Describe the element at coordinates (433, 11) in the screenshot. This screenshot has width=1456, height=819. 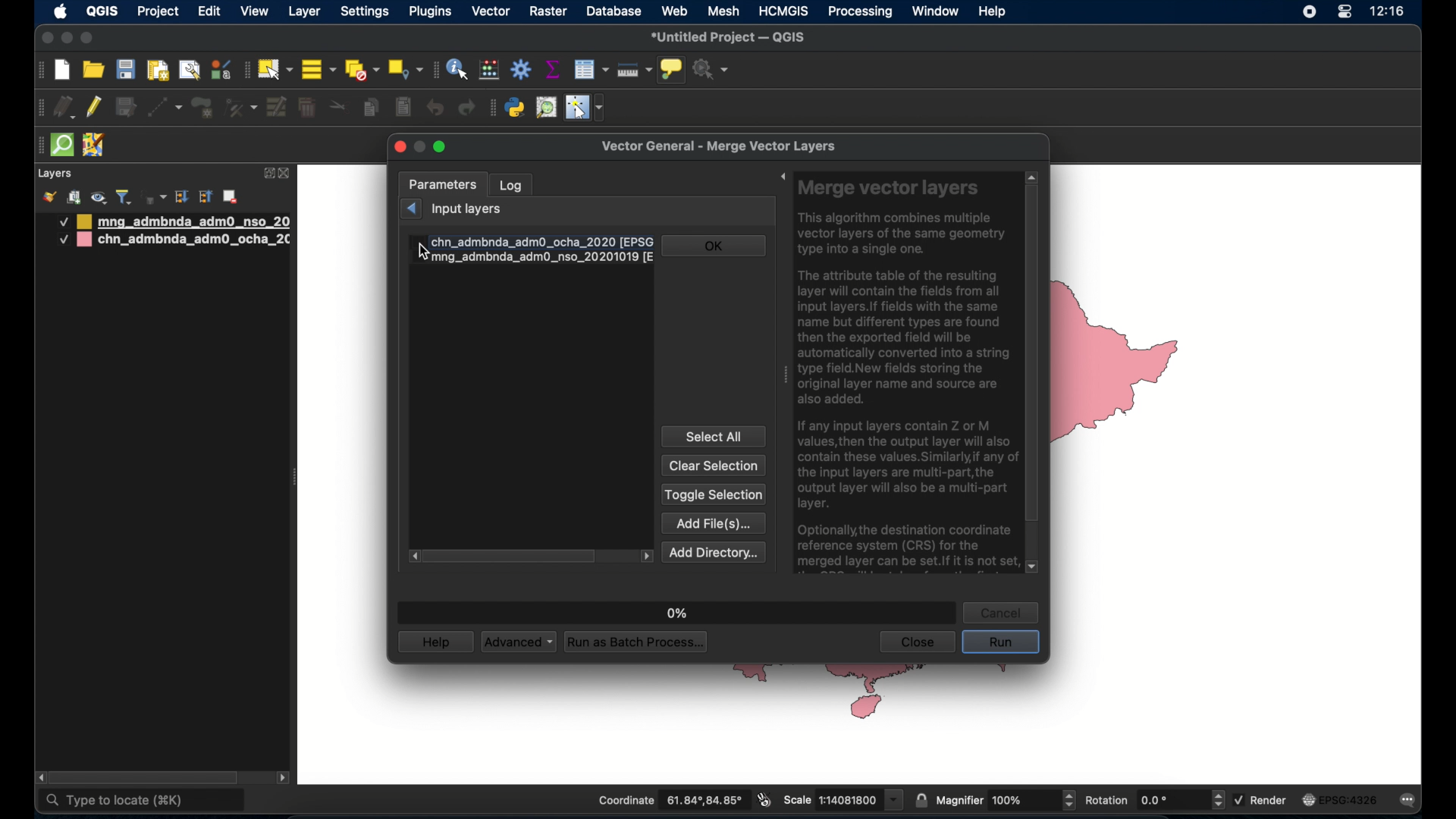
I see `plugins` at that location.